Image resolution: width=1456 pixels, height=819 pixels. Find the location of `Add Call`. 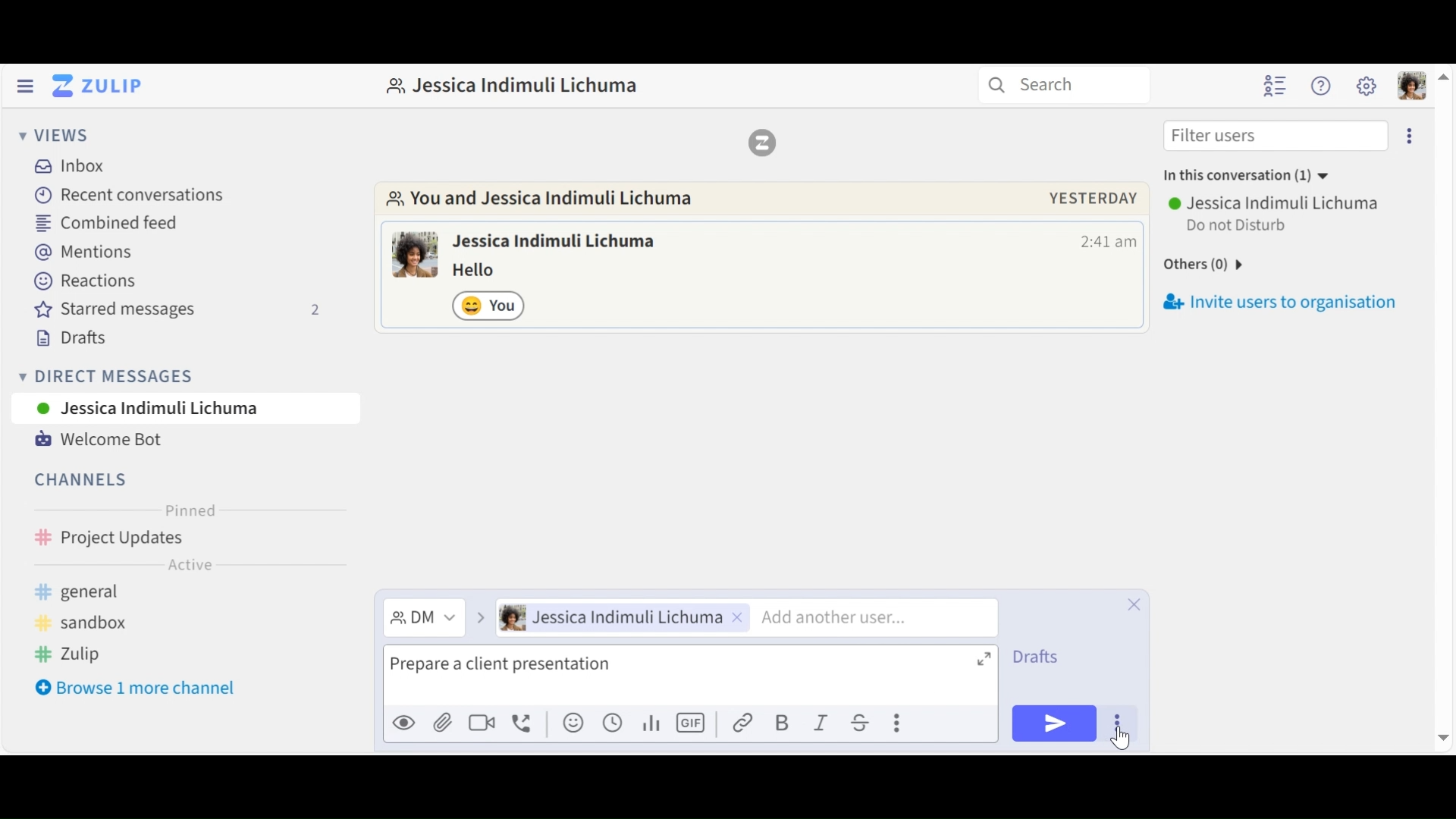

Add Call is located at coordinates (526, 721).